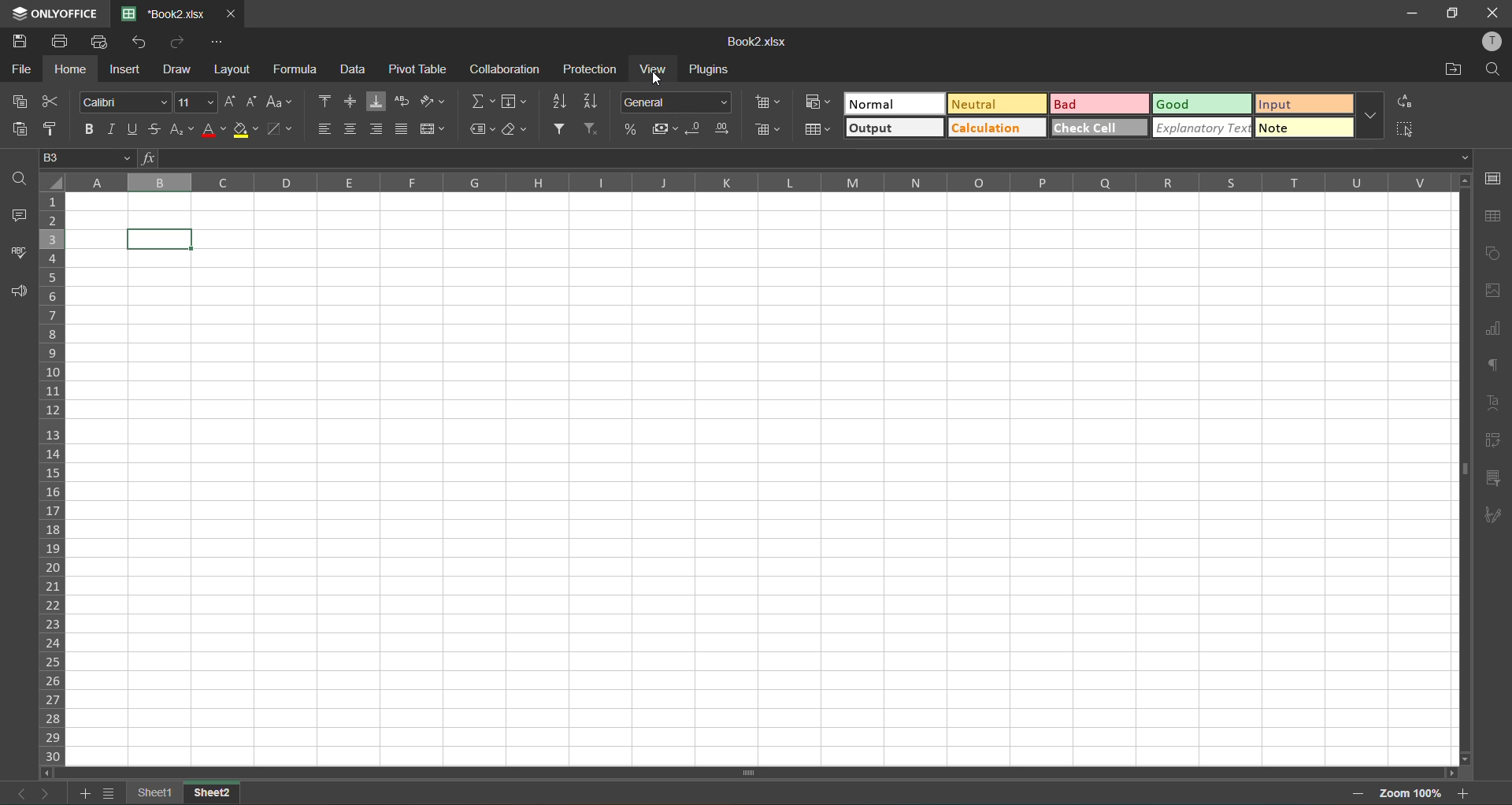  Describe the element at coordinates (112, 129) in the screenshot. I see `italic` at that location.